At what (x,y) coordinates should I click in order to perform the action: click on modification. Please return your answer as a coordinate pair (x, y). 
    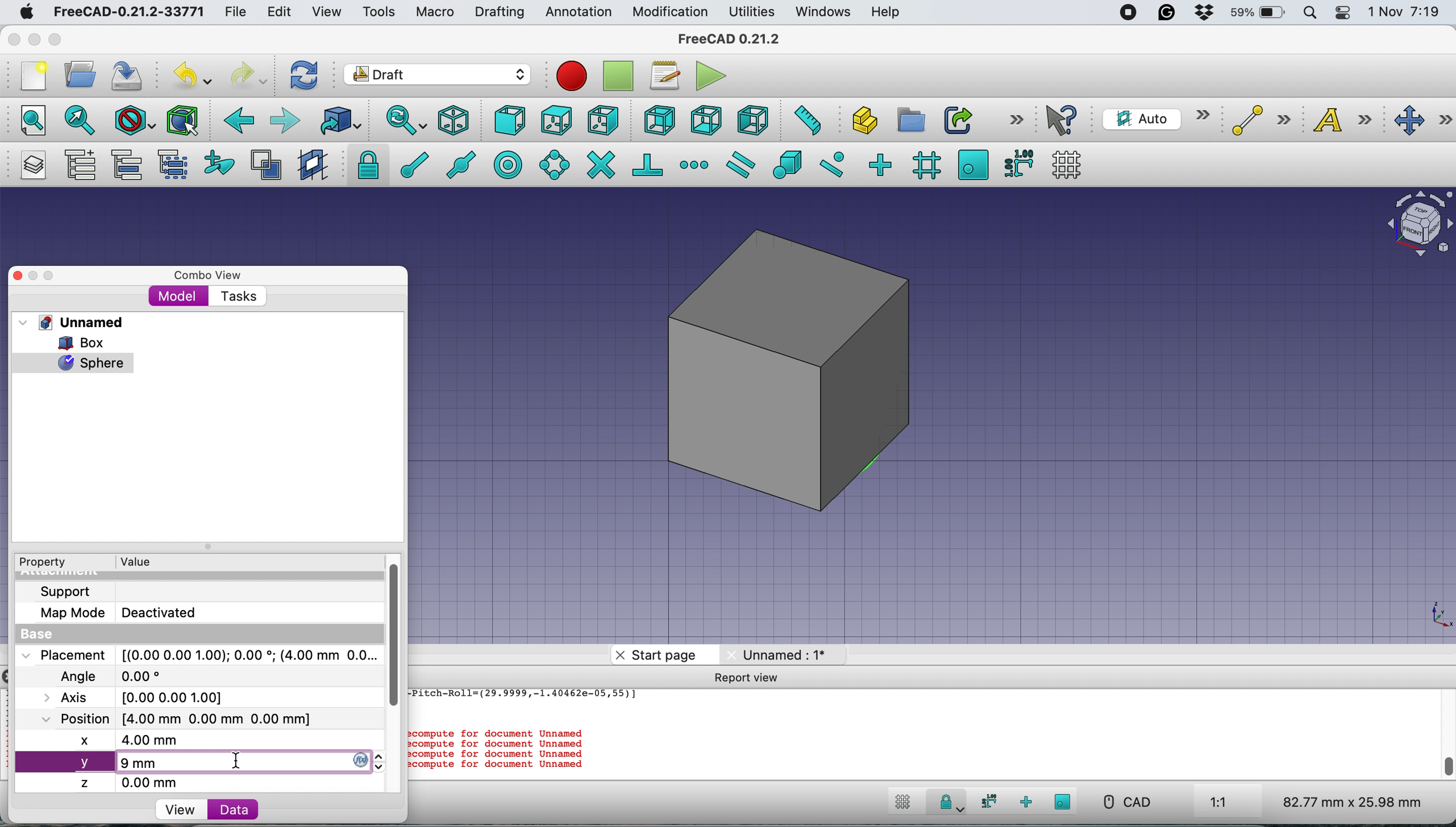
    Looking at the image, I should click on (669, 12).